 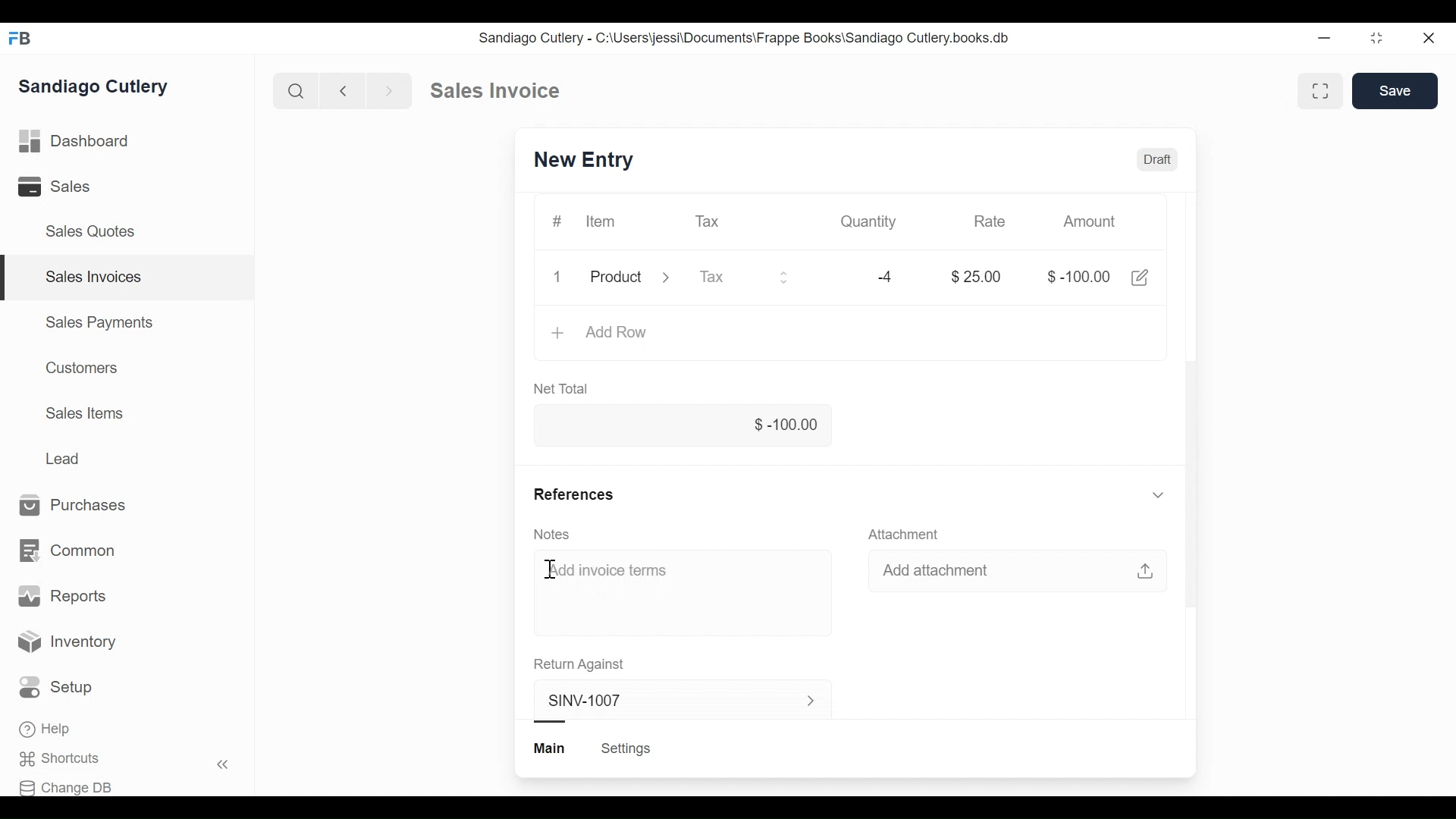 What do you see at coordinates (56, 687) in the screenshot?
I see `Setup` at bounding box center [56, 687].